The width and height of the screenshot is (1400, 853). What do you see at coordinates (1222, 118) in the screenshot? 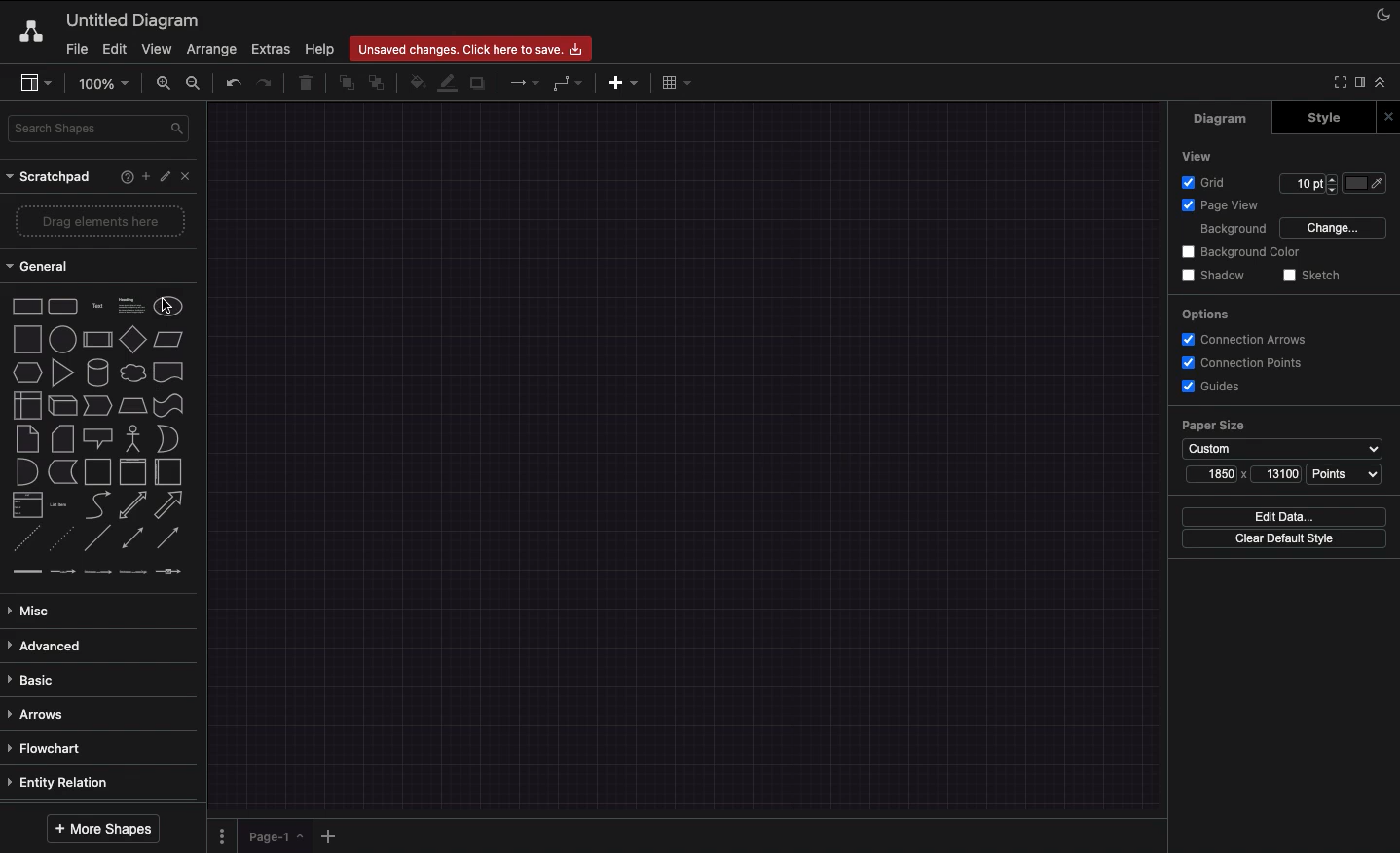
I see `Diagram` at bounding box center [1222, 118].